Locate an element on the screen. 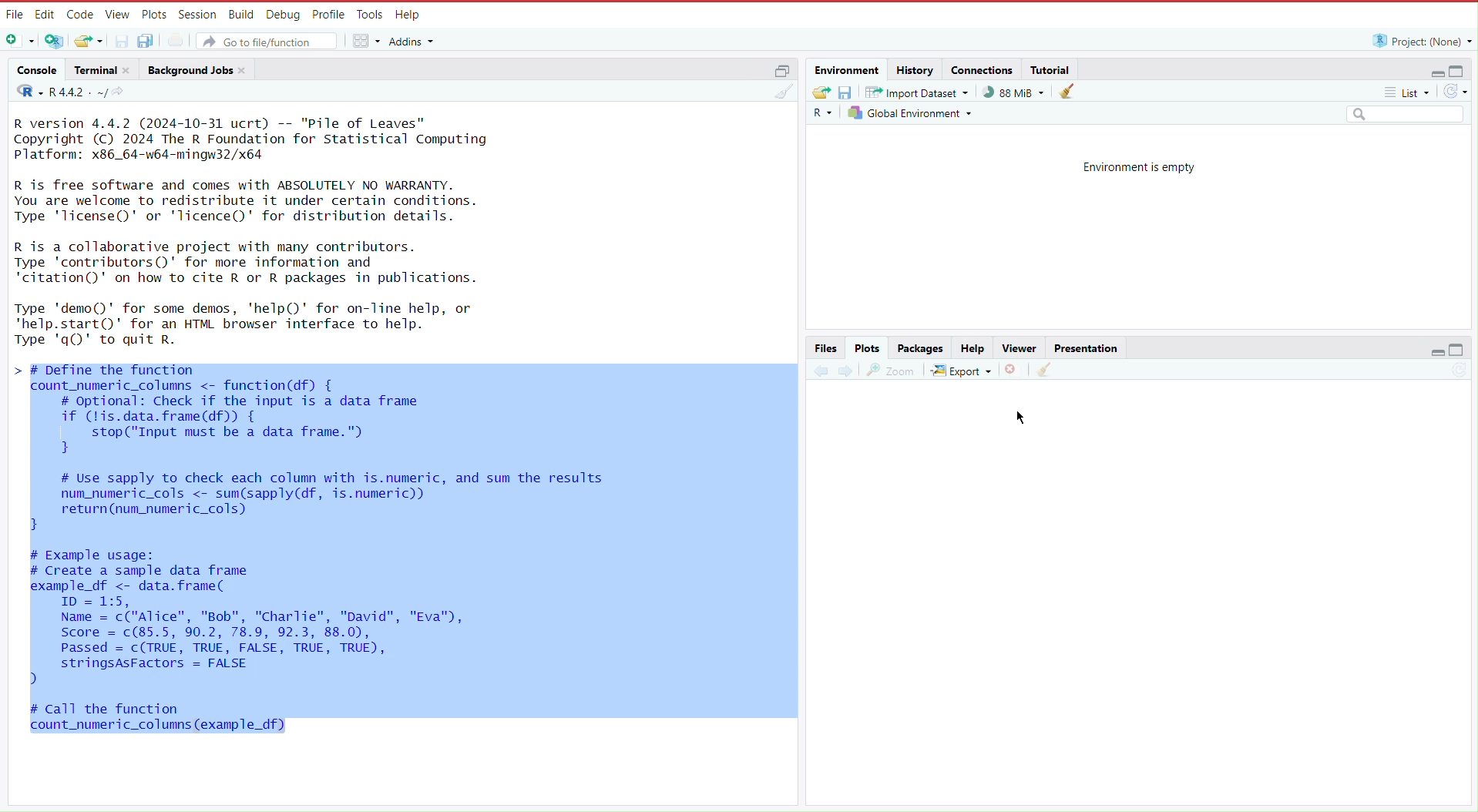 The width and height of the screenshot is (1478, 812). Go to file/function is located at coordinates (268, 39).